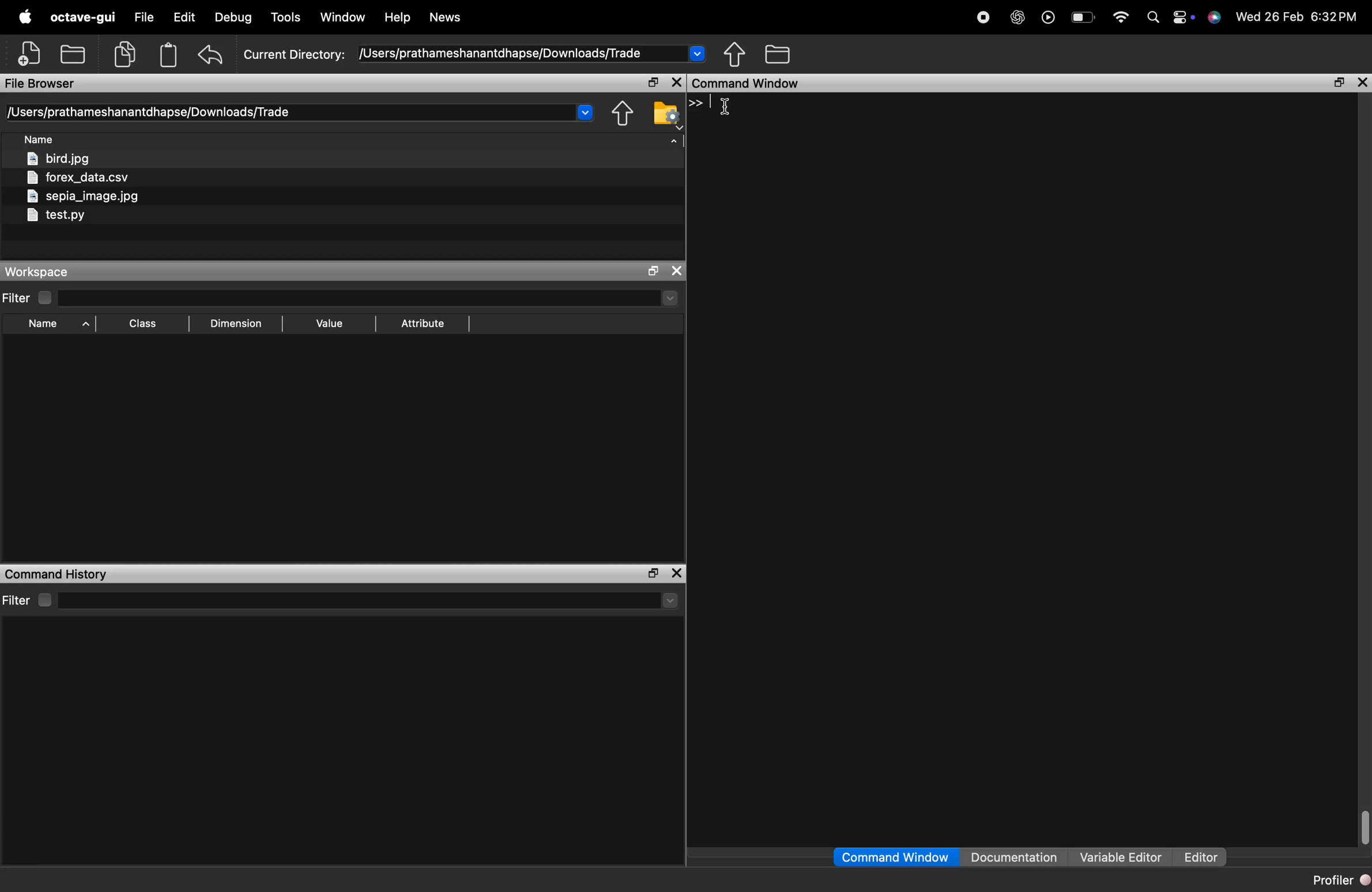 Image resolution: width=1372 pixels, height=892 pixels. Describe the element at coordinates (1014, 858) in the screenshot. I see `documentation` at that location.